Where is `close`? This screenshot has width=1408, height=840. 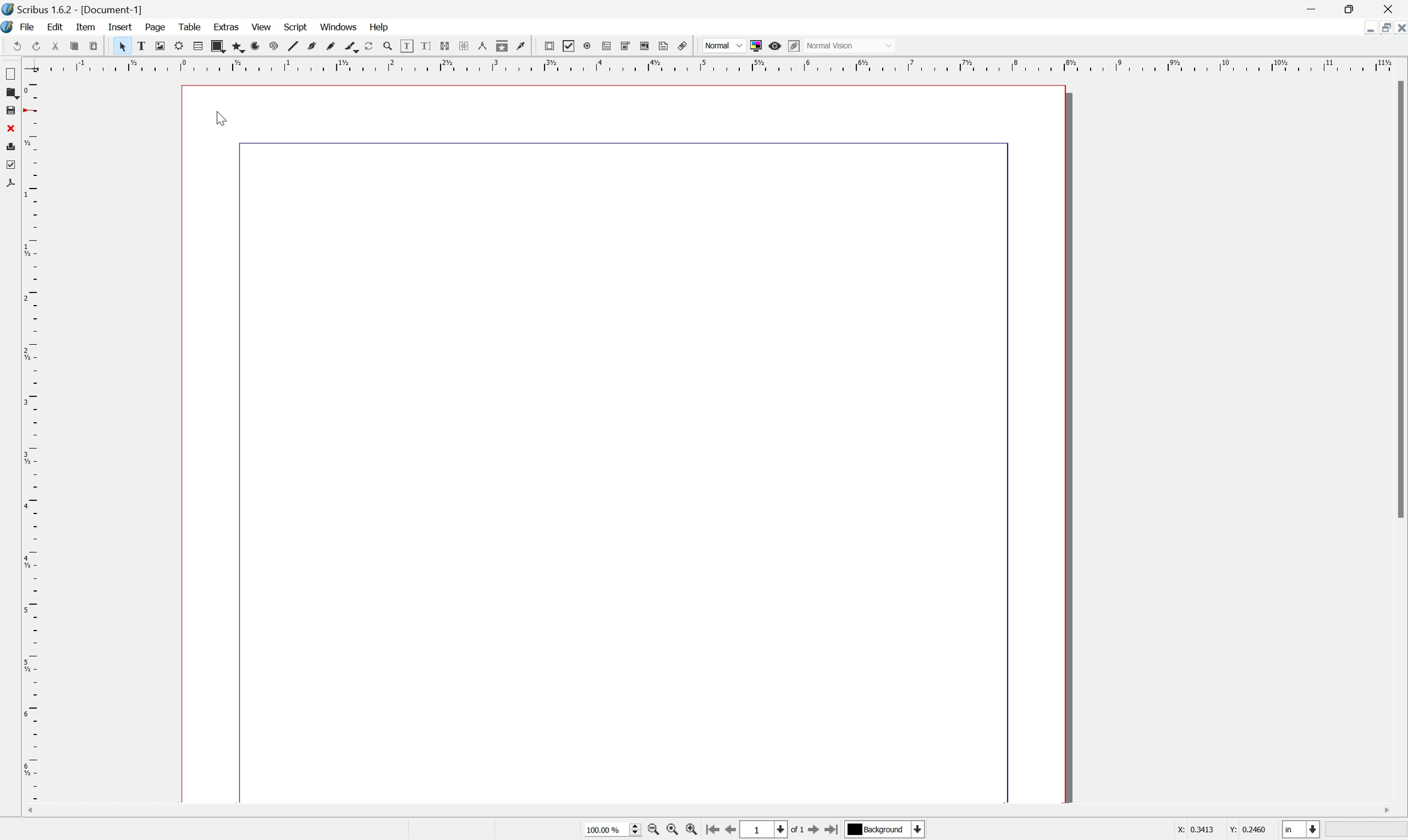 close is located at coordinates (1392, 8).